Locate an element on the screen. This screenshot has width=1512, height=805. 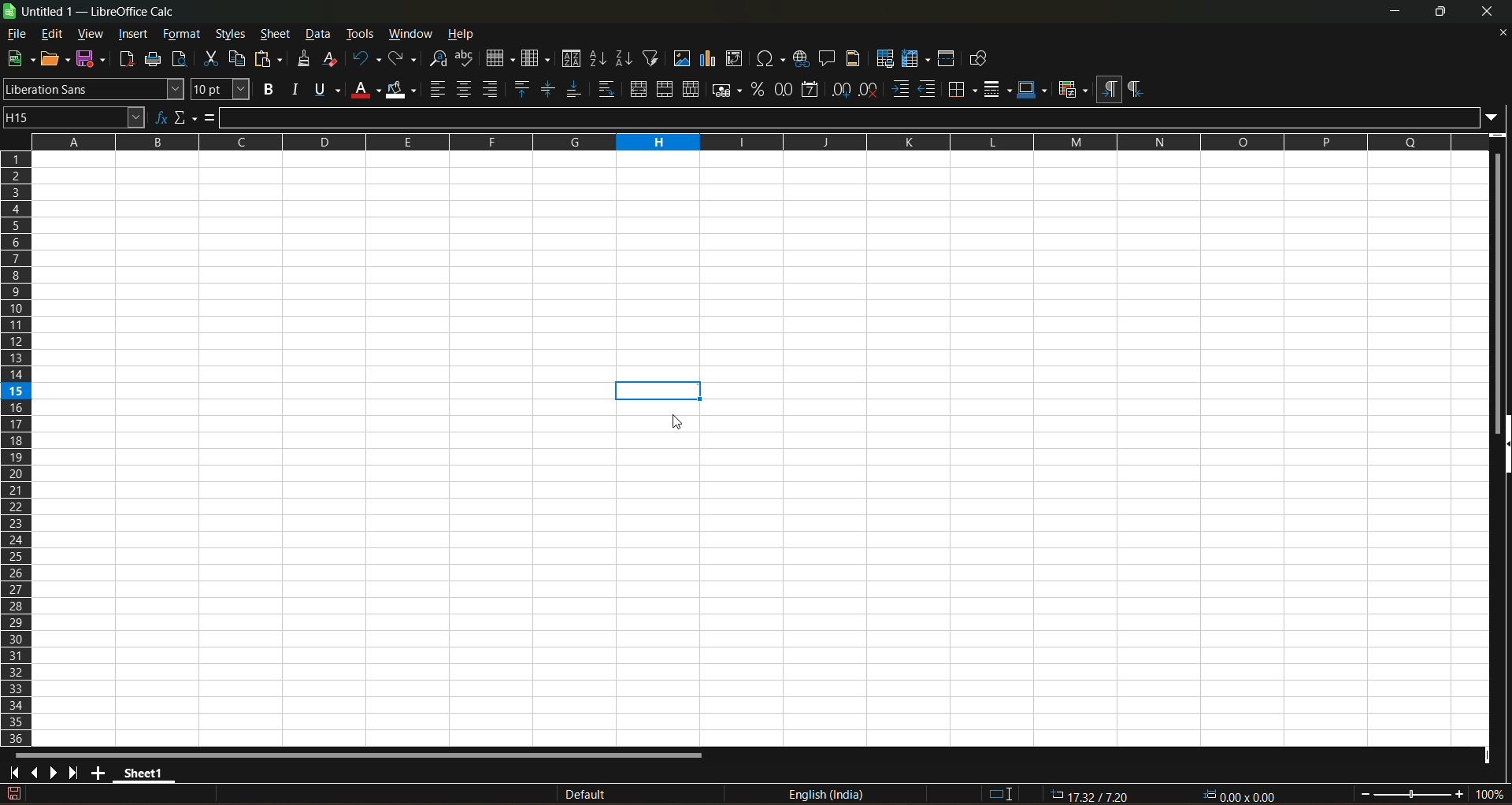
The document has been modified.Click to save the document. is located at coordinates (240, 794).